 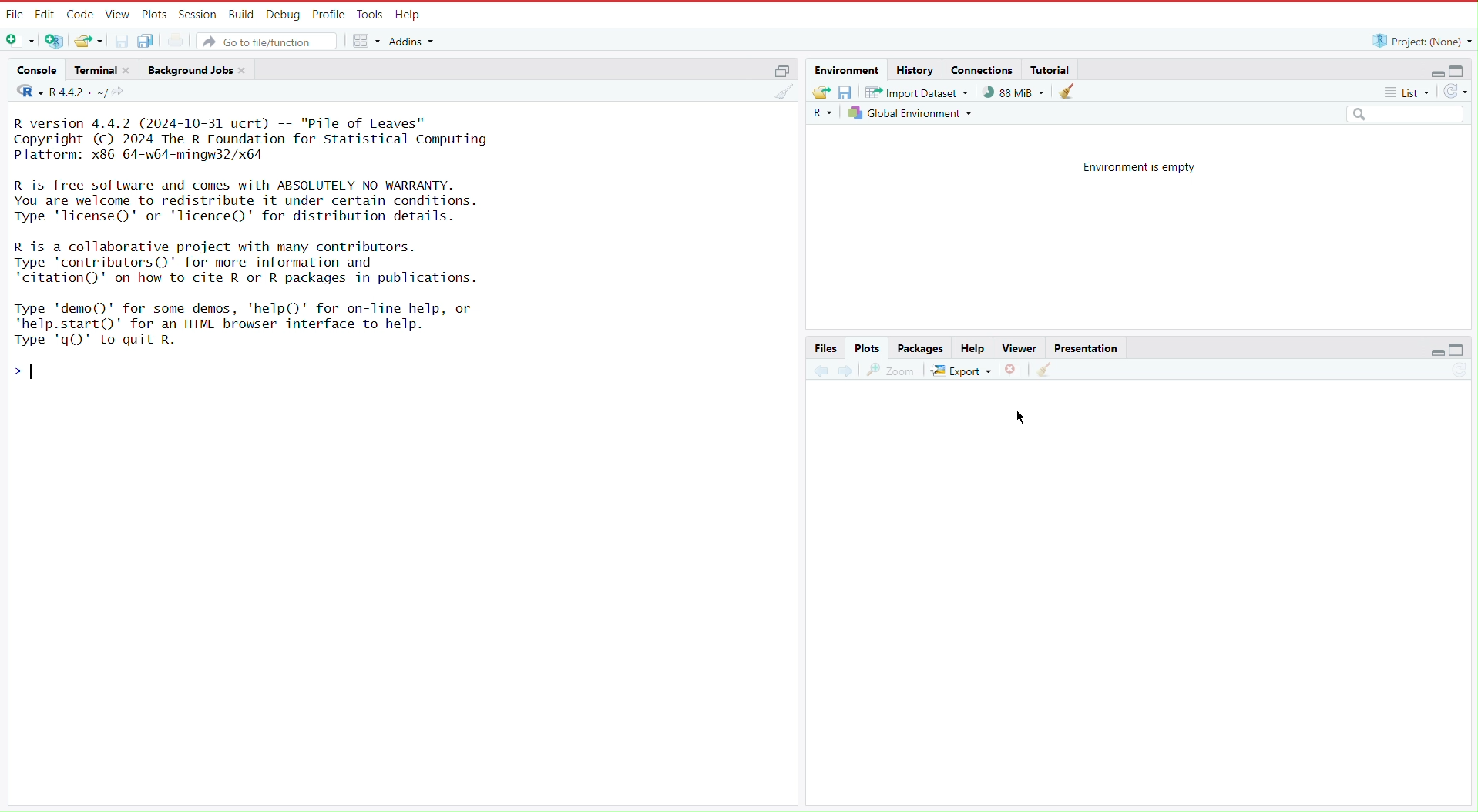 I want to click on Cursor, so click(x=1026, y=415).